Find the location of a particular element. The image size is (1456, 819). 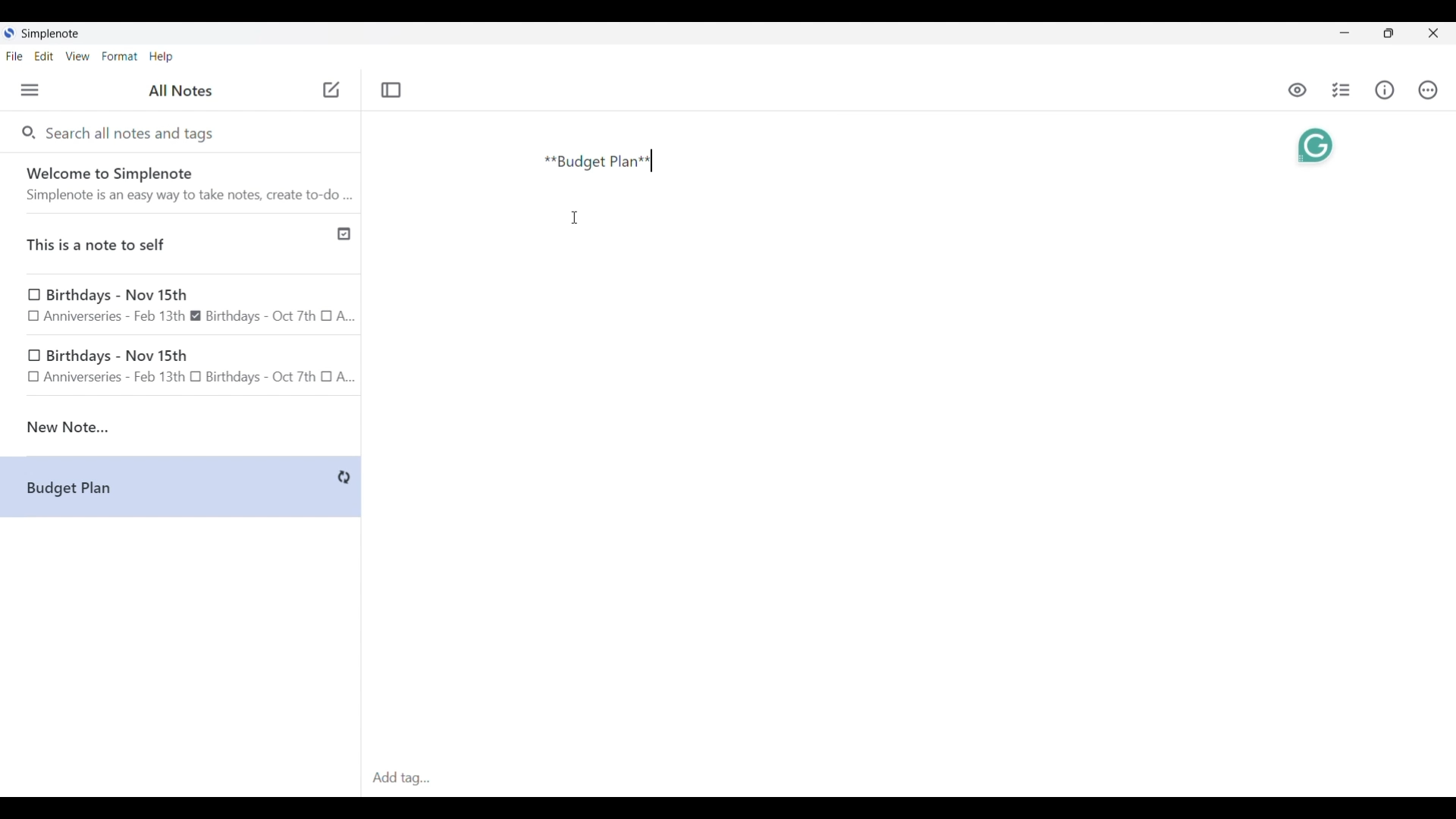

Text typed in is located at coordinates (598, 162).